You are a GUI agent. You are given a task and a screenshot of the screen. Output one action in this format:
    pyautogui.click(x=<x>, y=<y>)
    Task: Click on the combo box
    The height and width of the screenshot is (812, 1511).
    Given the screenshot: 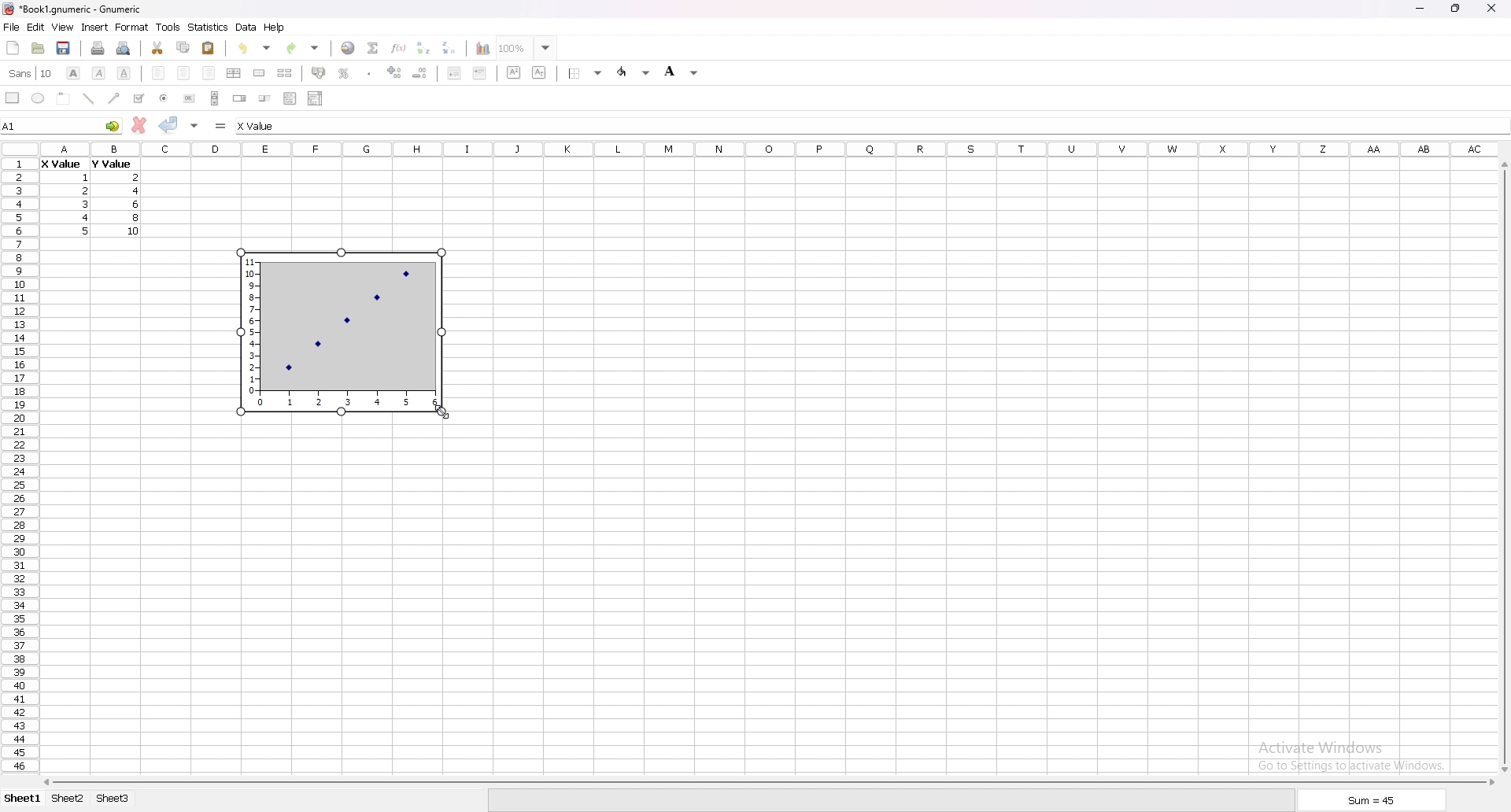 What is the action you would take?
    pyautogui.click(x=315, y=98)
    